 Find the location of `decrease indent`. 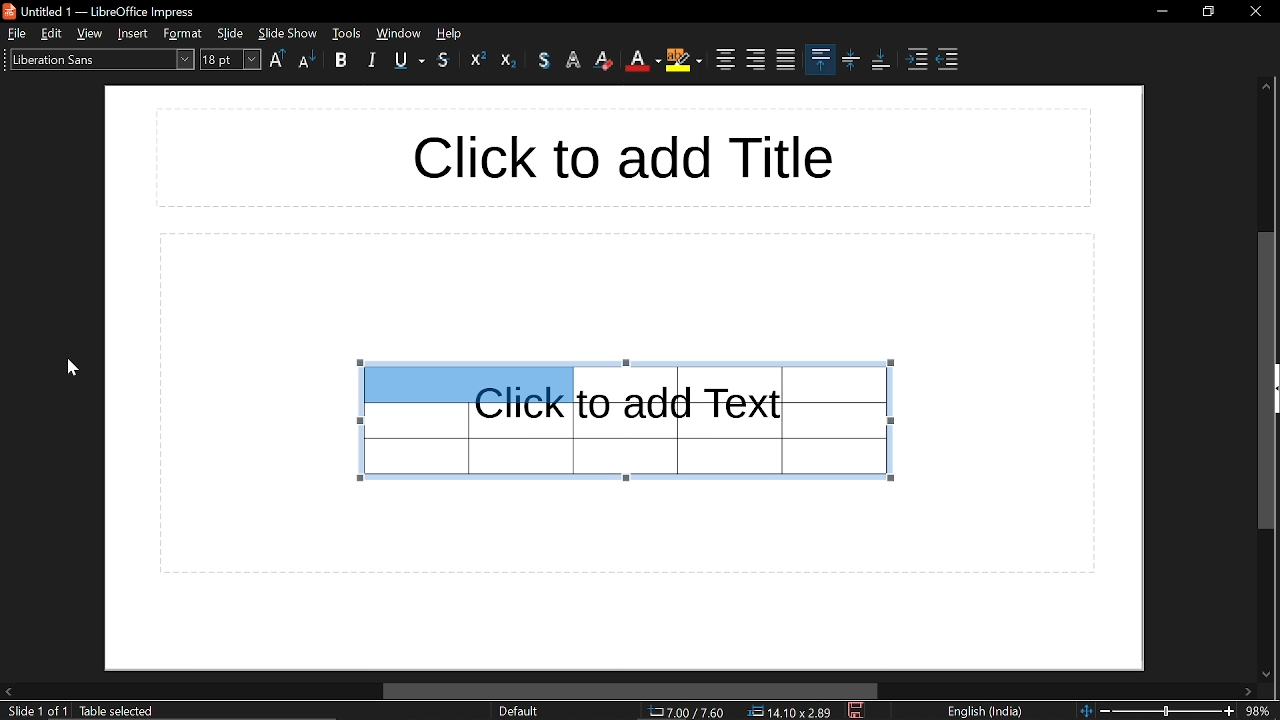

decrease indent is located at coordinates (946, 61).